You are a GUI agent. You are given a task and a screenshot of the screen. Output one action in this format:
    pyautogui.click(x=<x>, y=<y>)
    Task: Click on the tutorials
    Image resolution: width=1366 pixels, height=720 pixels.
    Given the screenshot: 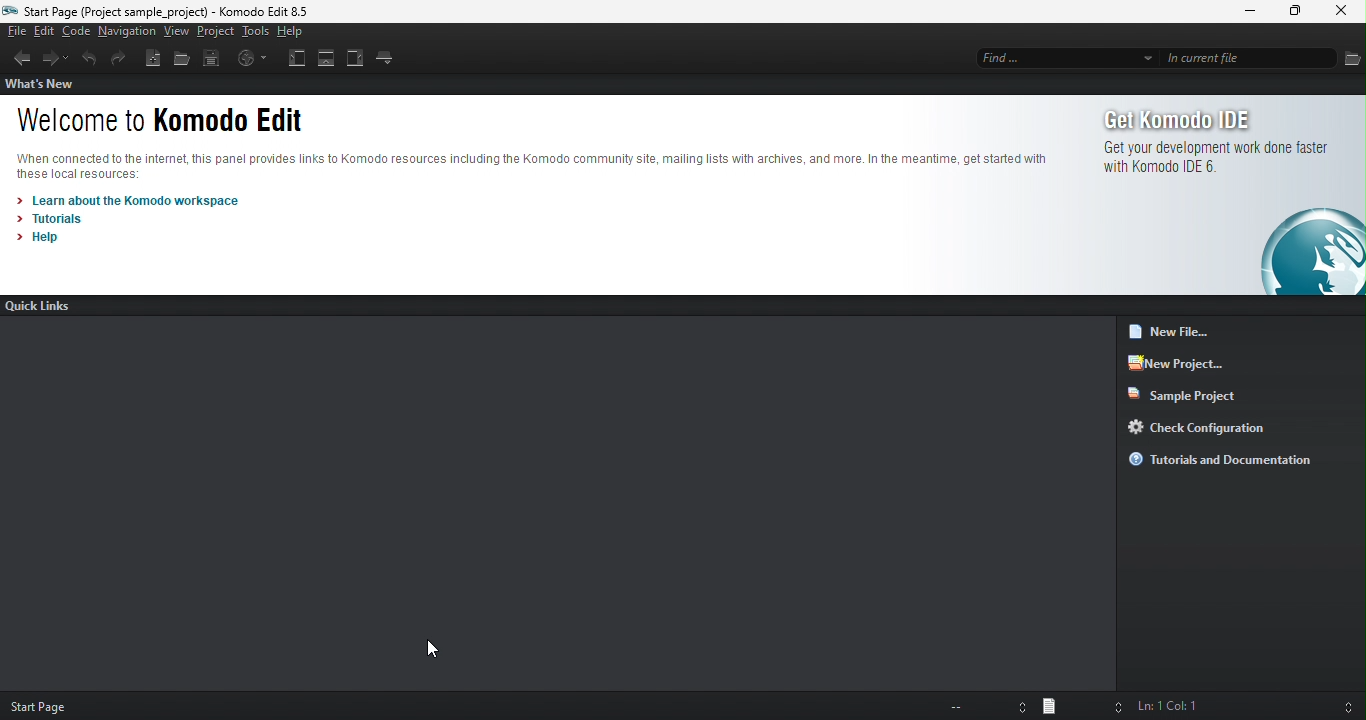 What is the action you would take?
    pyautogui.click(x=55, y=216)
    